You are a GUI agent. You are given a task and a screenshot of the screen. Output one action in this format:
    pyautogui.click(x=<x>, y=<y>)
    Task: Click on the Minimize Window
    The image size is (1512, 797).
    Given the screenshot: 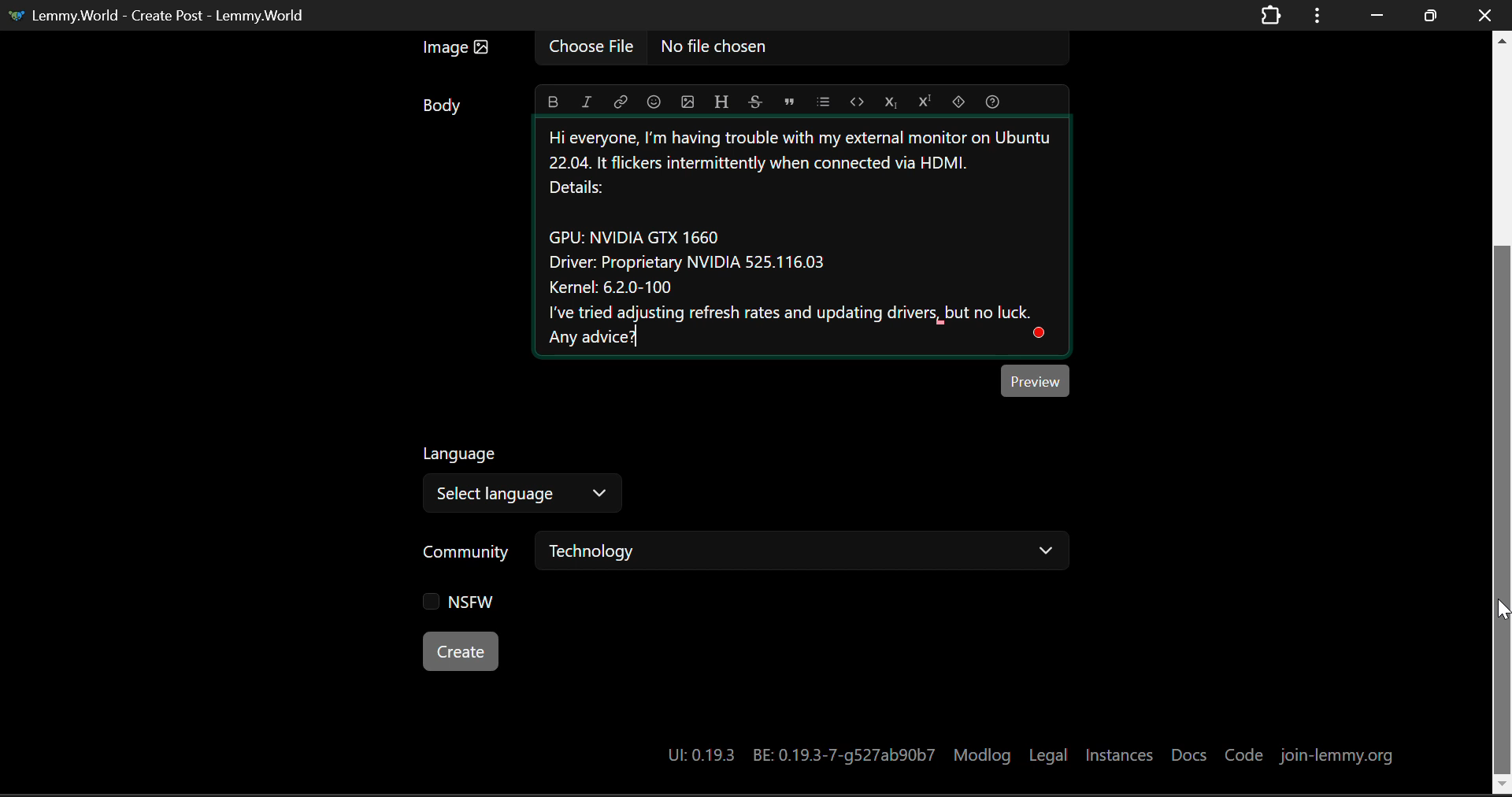 What is the action you would take?
    pyautogui.click(x=1428, y=17)
    